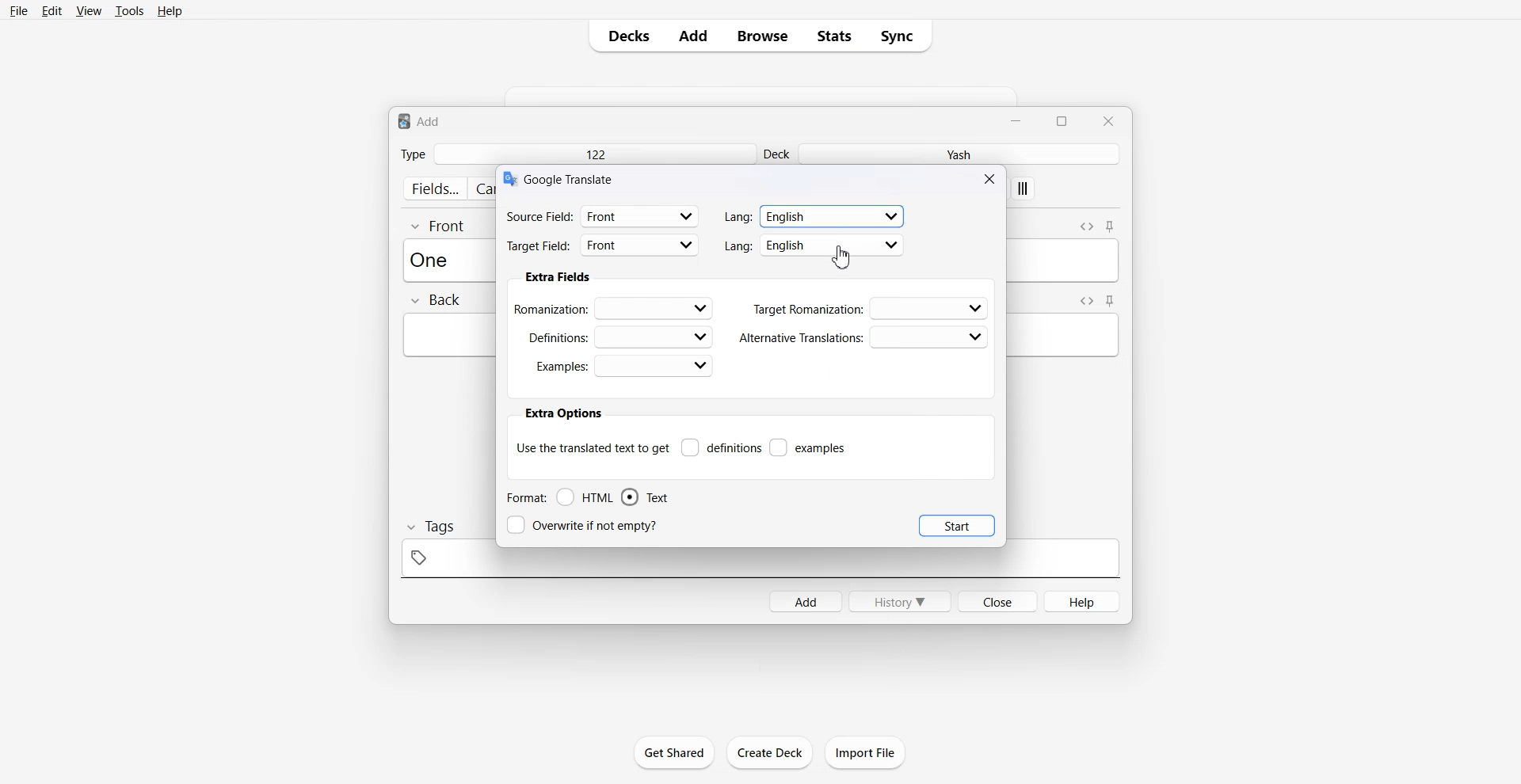  What do you see at coordinates (170, 10) in the screenshot?
I see `Help` at bounding box center [170, 10].